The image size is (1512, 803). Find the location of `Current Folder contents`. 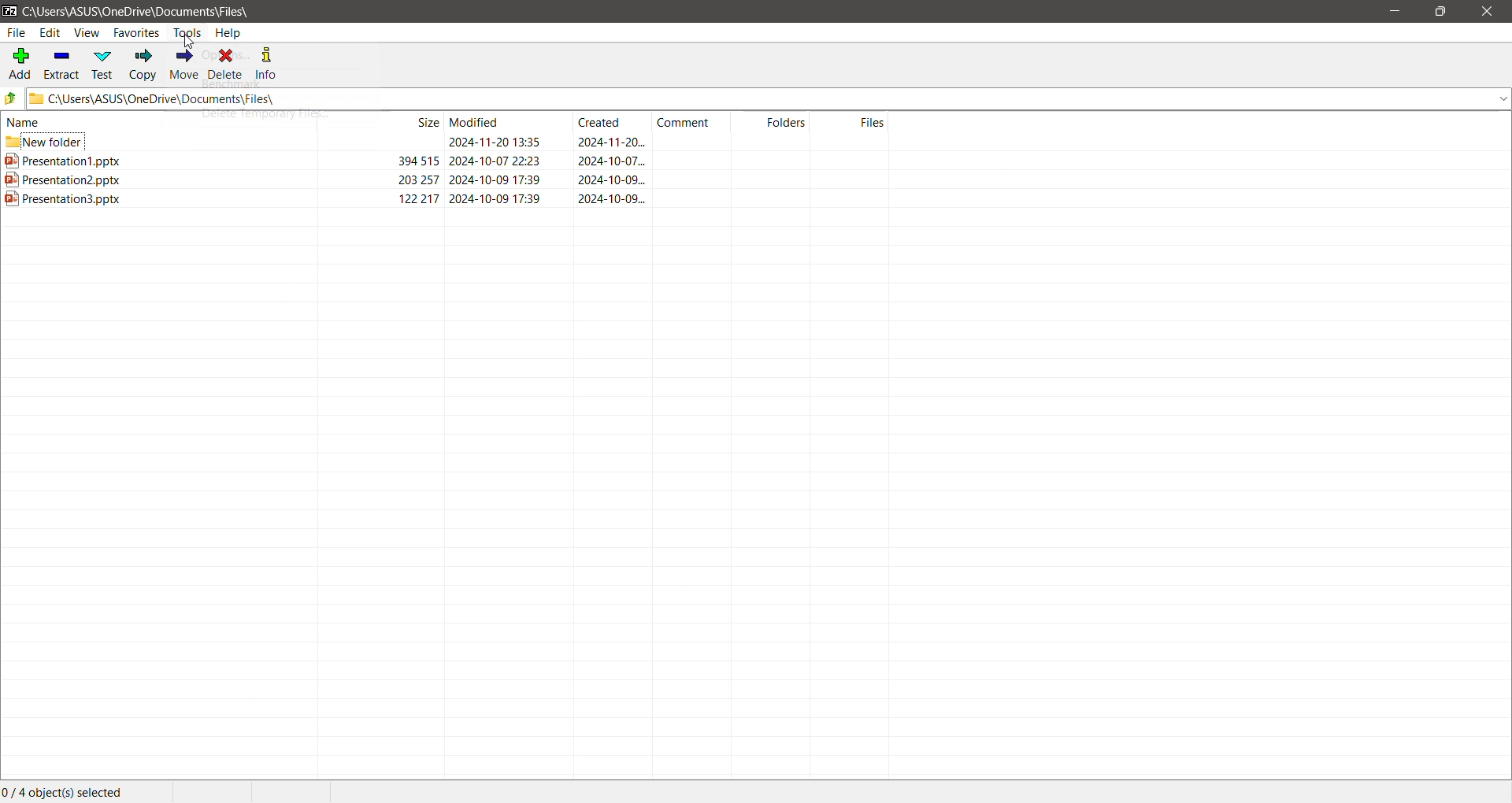

Current Folder contents is located at coordinates (448, 121).